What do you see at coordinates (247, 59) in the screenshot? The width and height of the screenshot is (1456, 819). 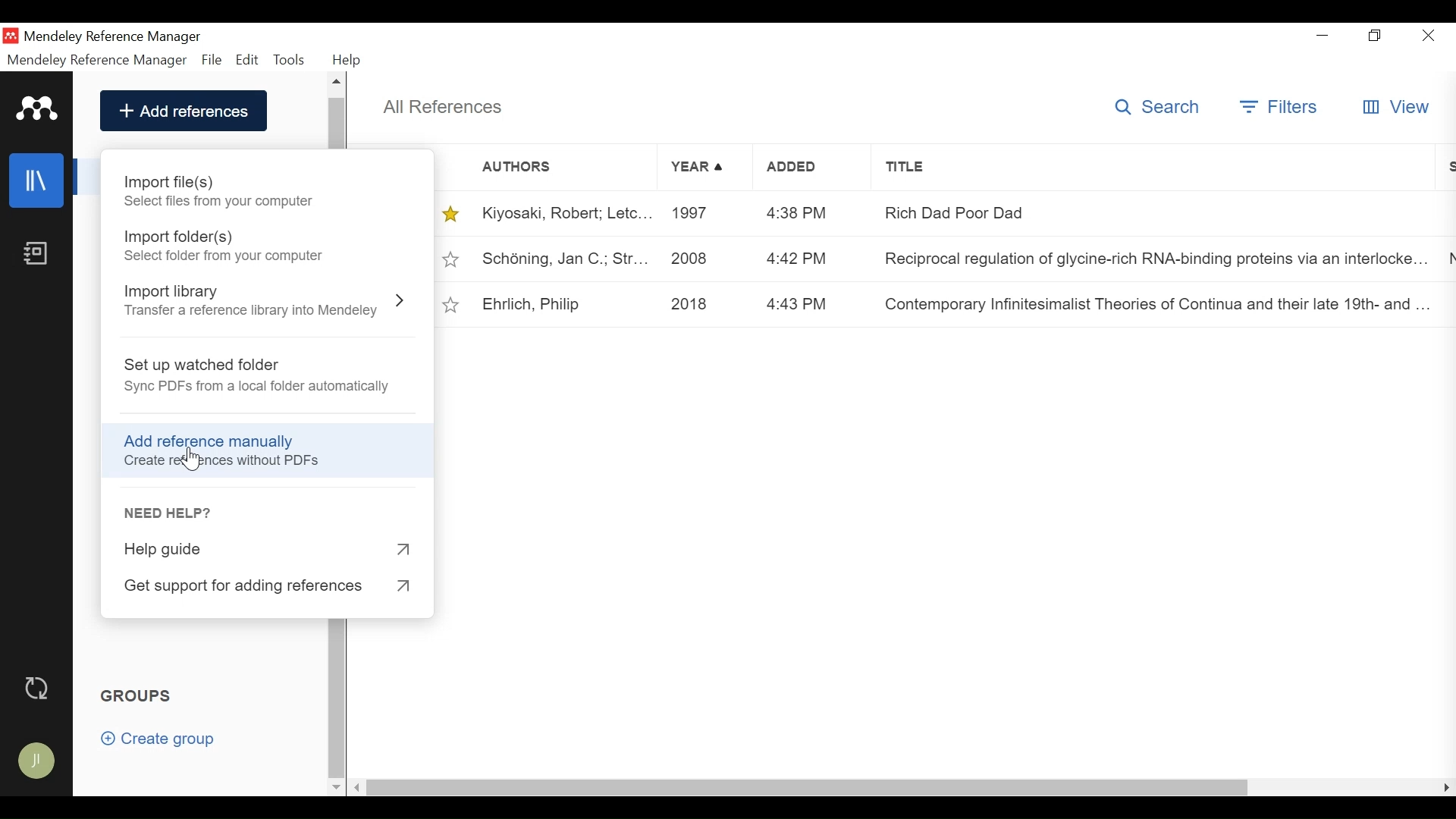 I see `Edit ` at bounding box center [247, 59].